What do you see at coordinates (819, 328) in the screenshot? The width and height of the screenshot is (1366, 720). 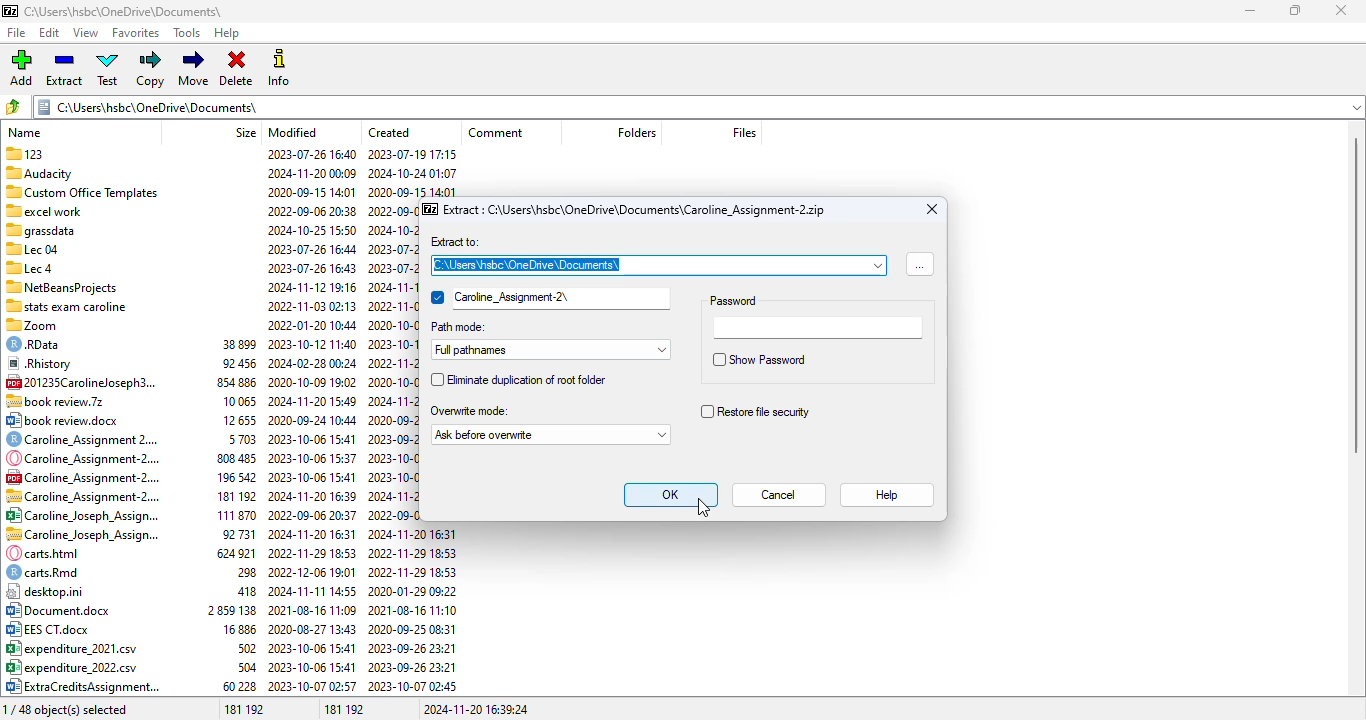 I see `password` at bounding box center [819, 328].